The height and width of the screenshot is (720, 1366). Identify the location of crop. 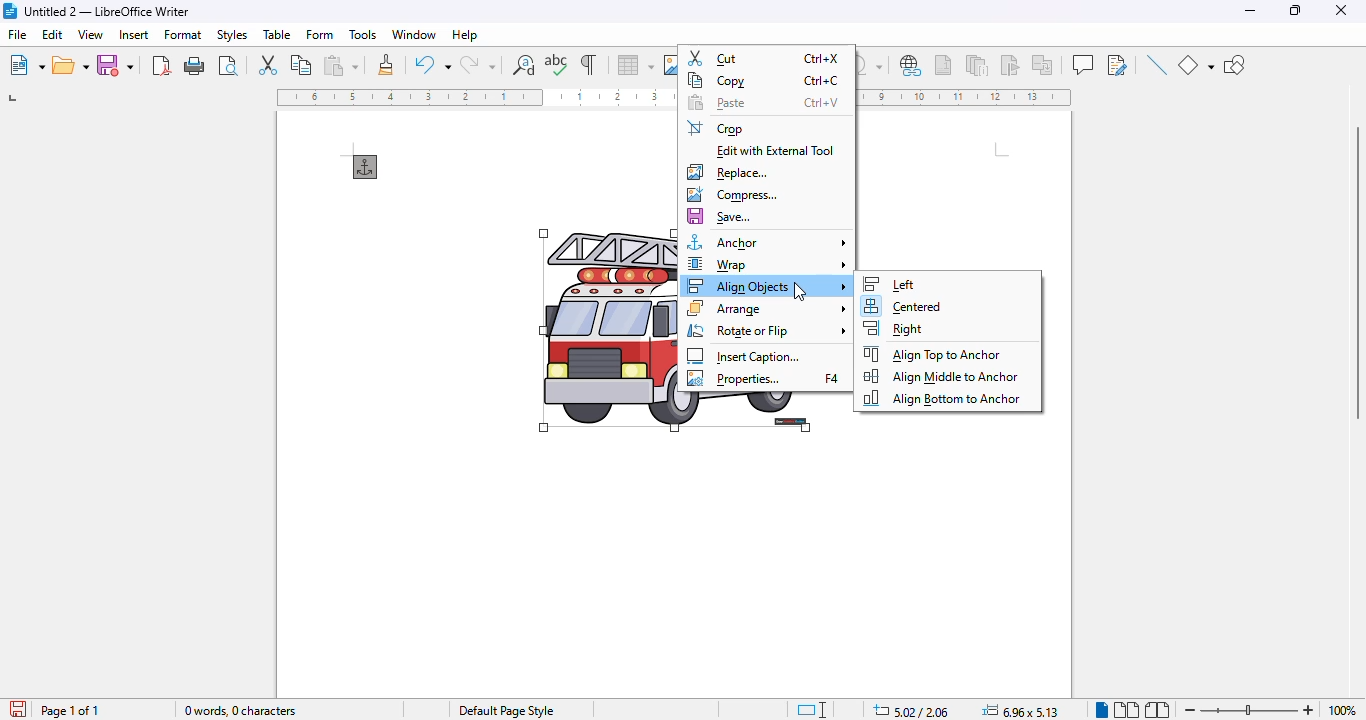
(716, 128).